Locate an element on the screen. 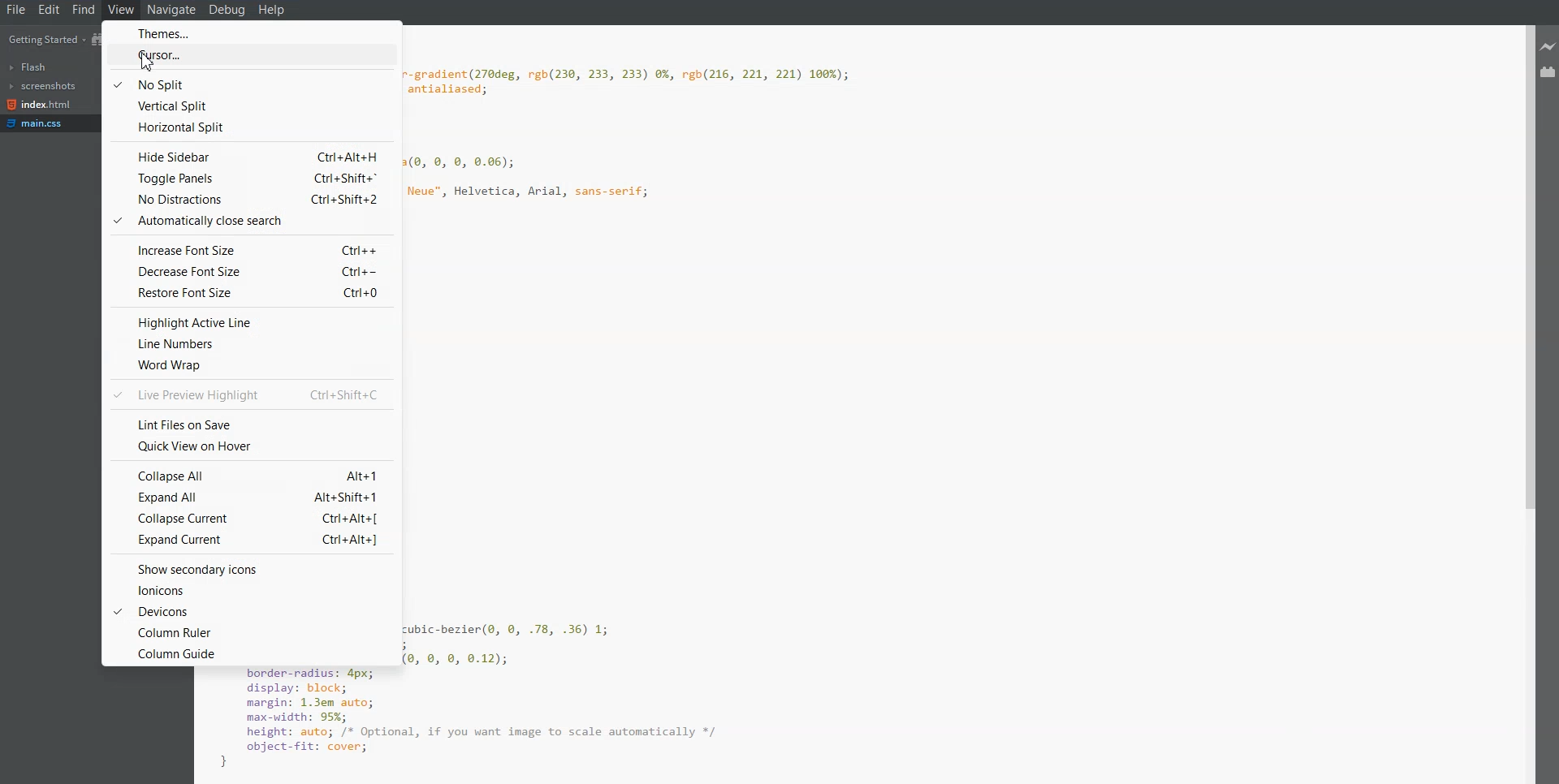 This screenshot has width=1559, height=784. Hide Sidebar is located at coordinates (249, 156).